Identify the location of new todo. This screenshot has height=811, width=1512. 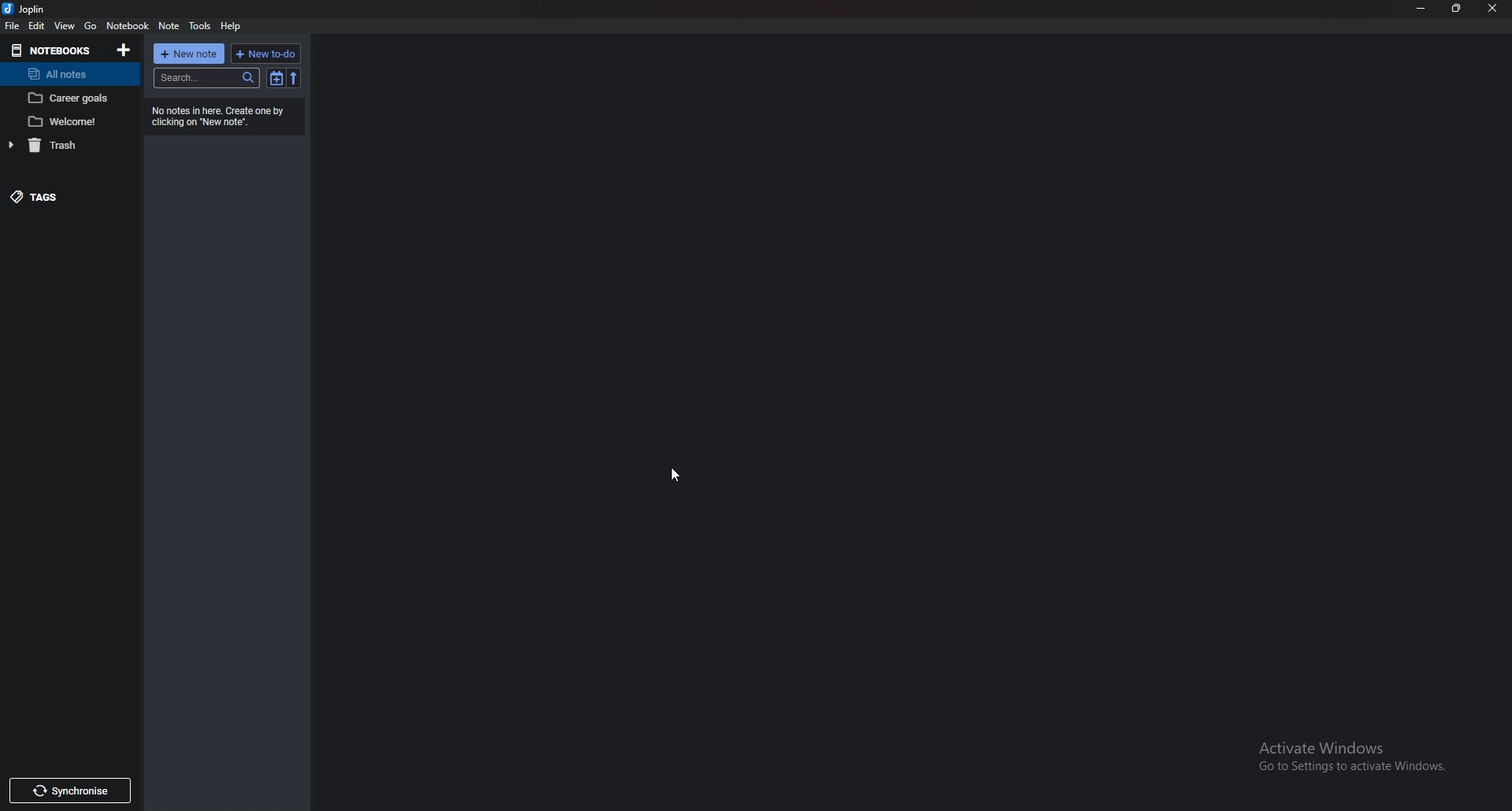
(267, 53).